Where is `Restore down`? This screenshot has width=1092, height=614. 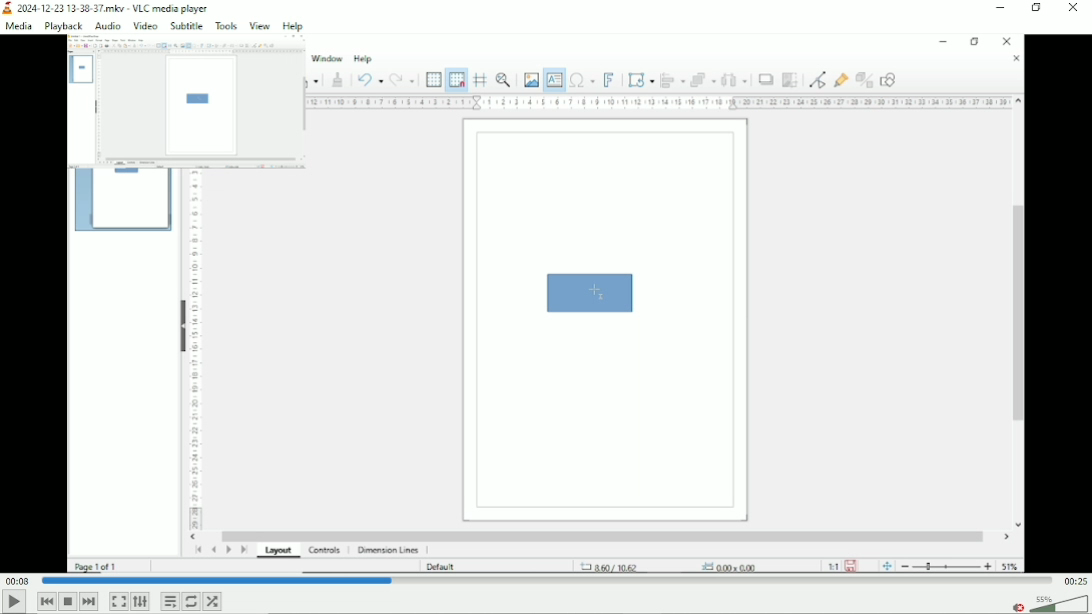
Restore down is located at coordinates (1038, 8).